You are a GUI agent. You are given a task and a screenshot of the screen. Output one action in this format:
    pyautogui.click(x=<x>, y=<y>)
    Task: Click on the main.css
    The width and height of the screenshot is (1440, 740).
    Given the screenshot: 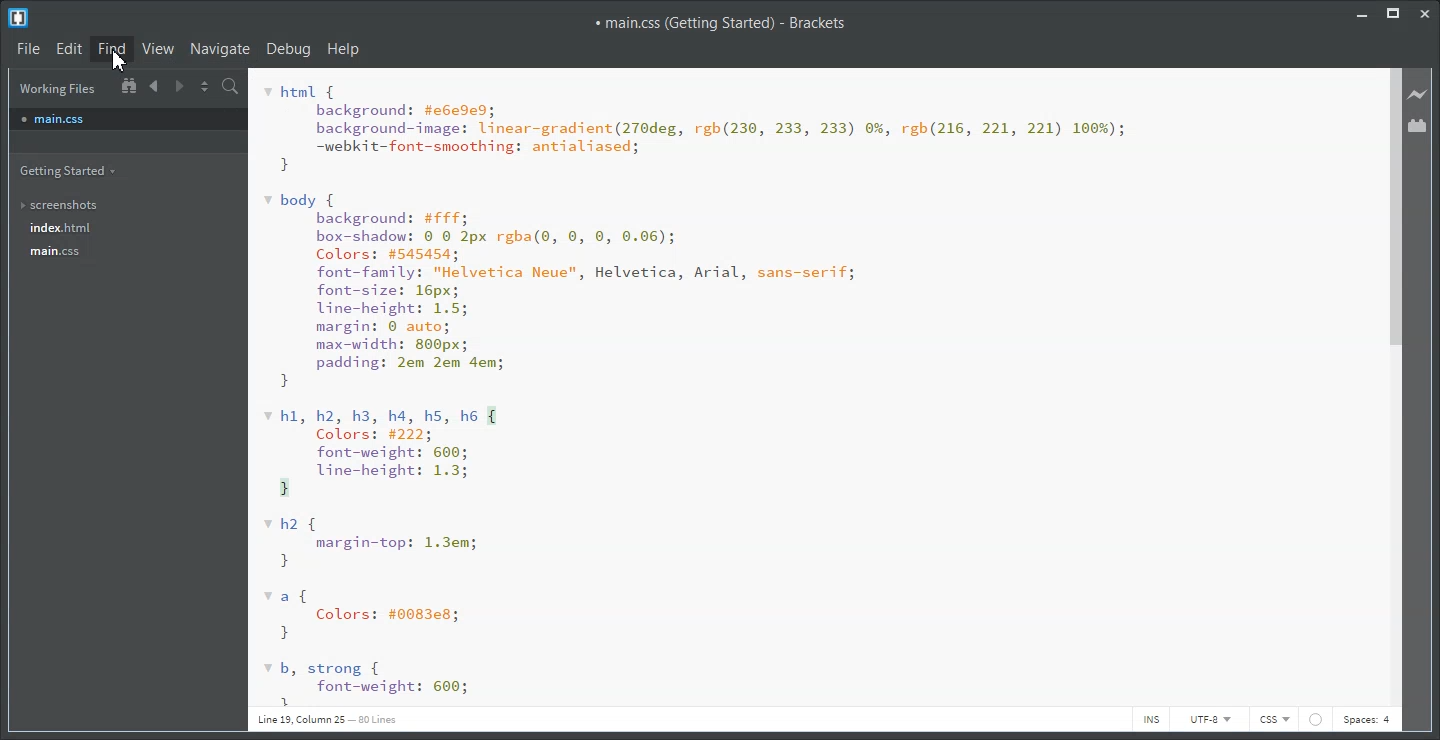 What is the action you would take?
    pyautogui.click(x=127, y=118)
    